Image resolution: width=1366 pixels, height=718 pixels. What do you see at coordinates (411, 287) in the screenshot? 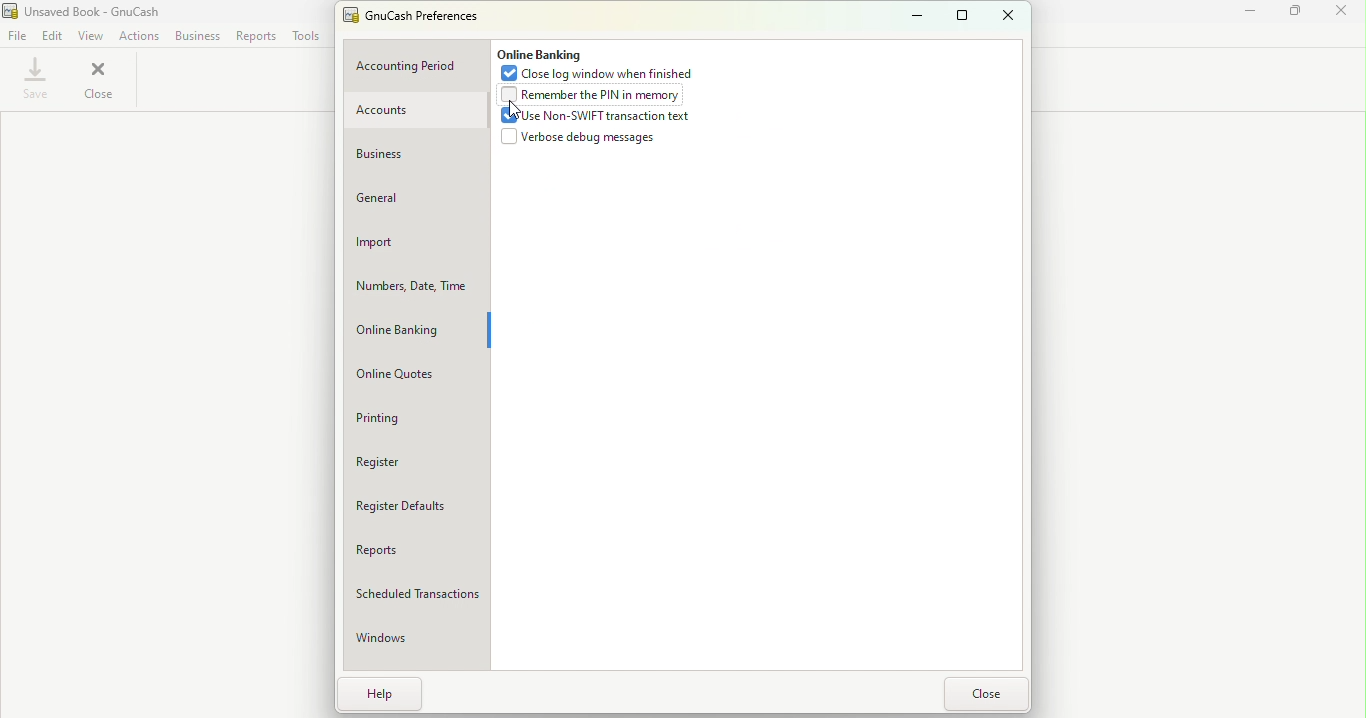
I see `Numbers, date, time` at bounding box center [411, 287].